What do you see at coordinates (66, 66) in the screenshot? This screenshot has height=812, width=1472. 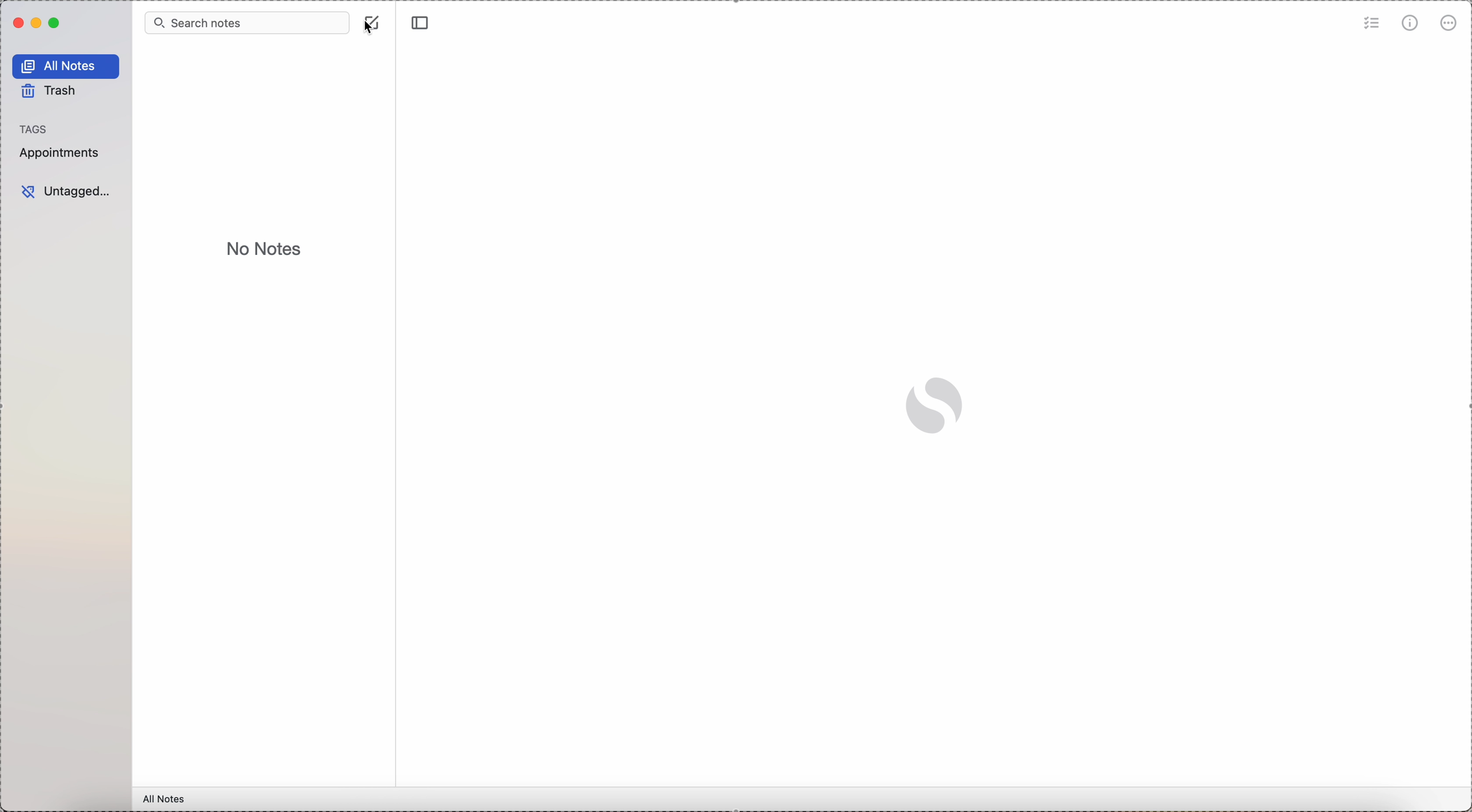 I see `all notes` at bounding box center [66, 66].